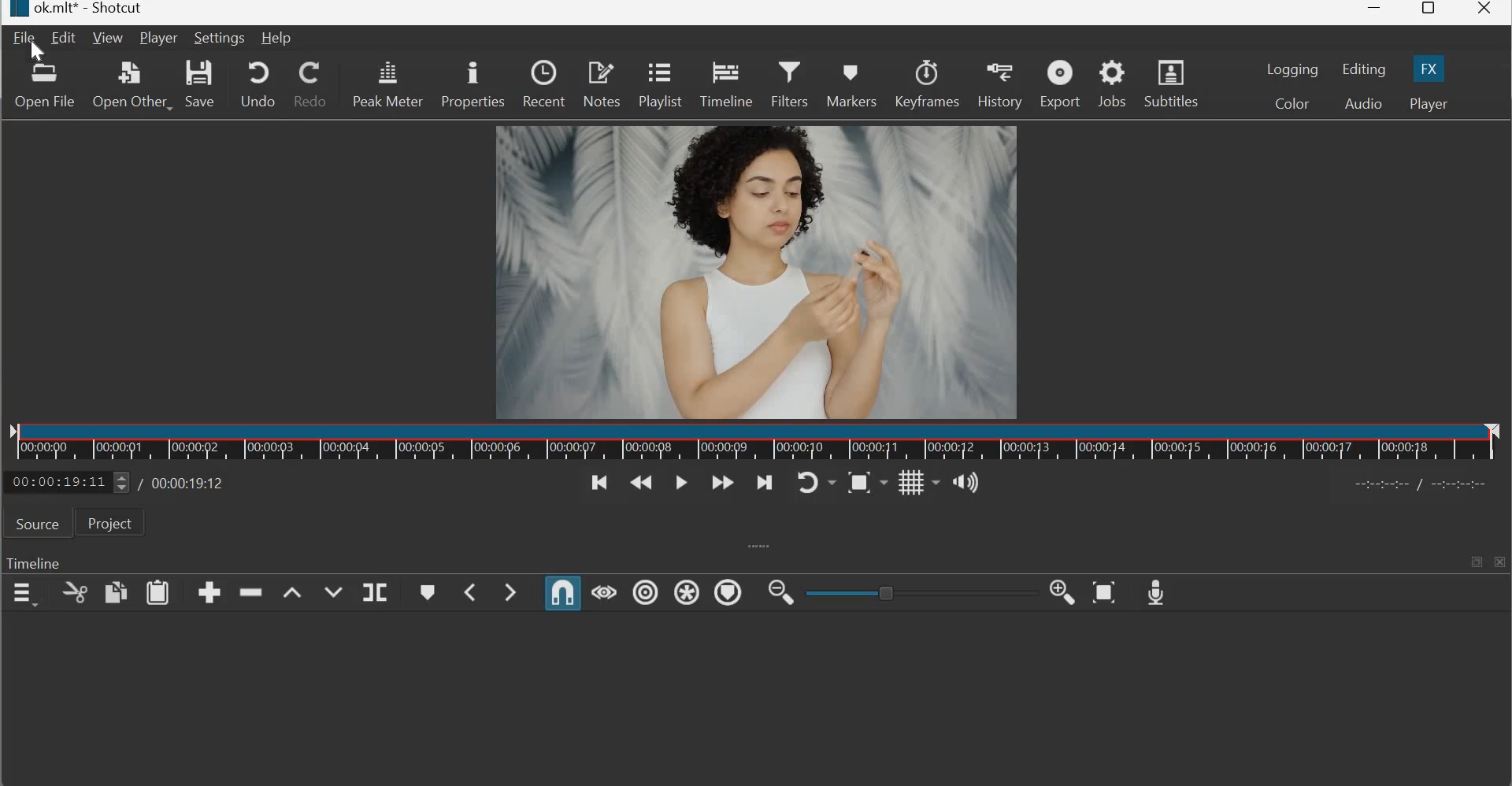  I want to click on Project, so click(110, 522).